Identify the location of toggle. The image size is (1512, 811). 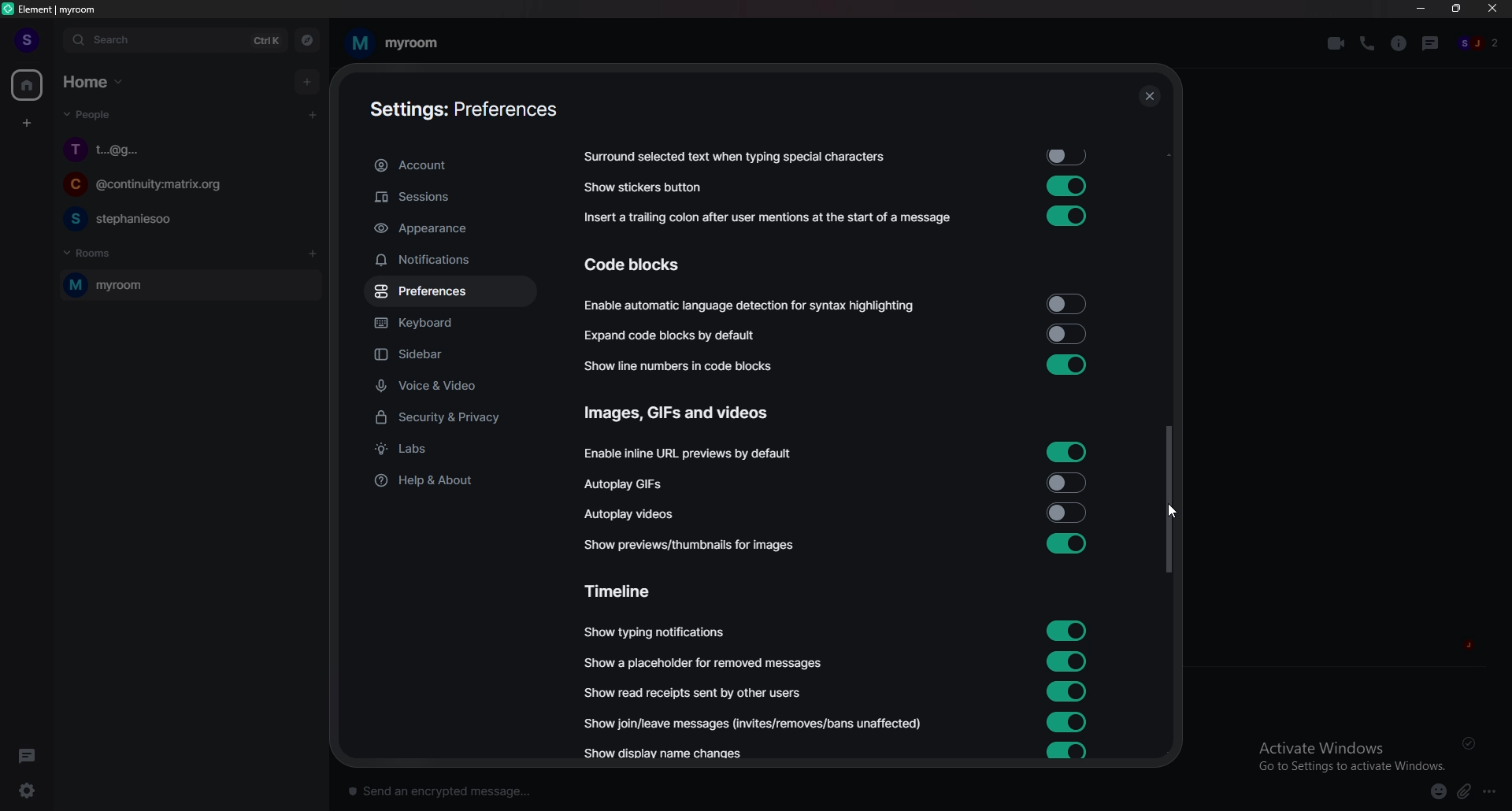
(1063, 217).